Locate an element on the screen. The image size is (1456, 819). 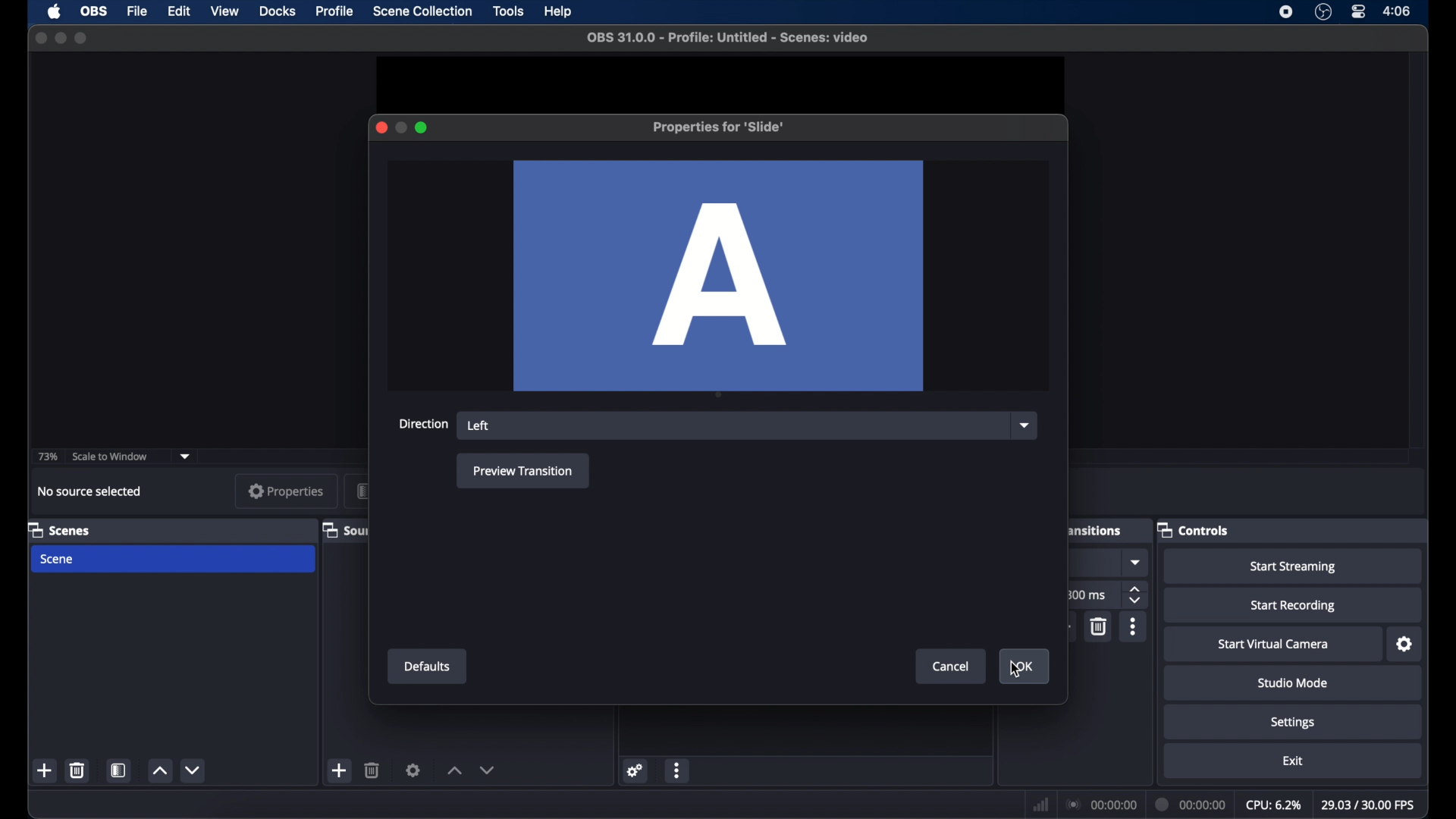
dropdown is located at coordinates (1025, 425).